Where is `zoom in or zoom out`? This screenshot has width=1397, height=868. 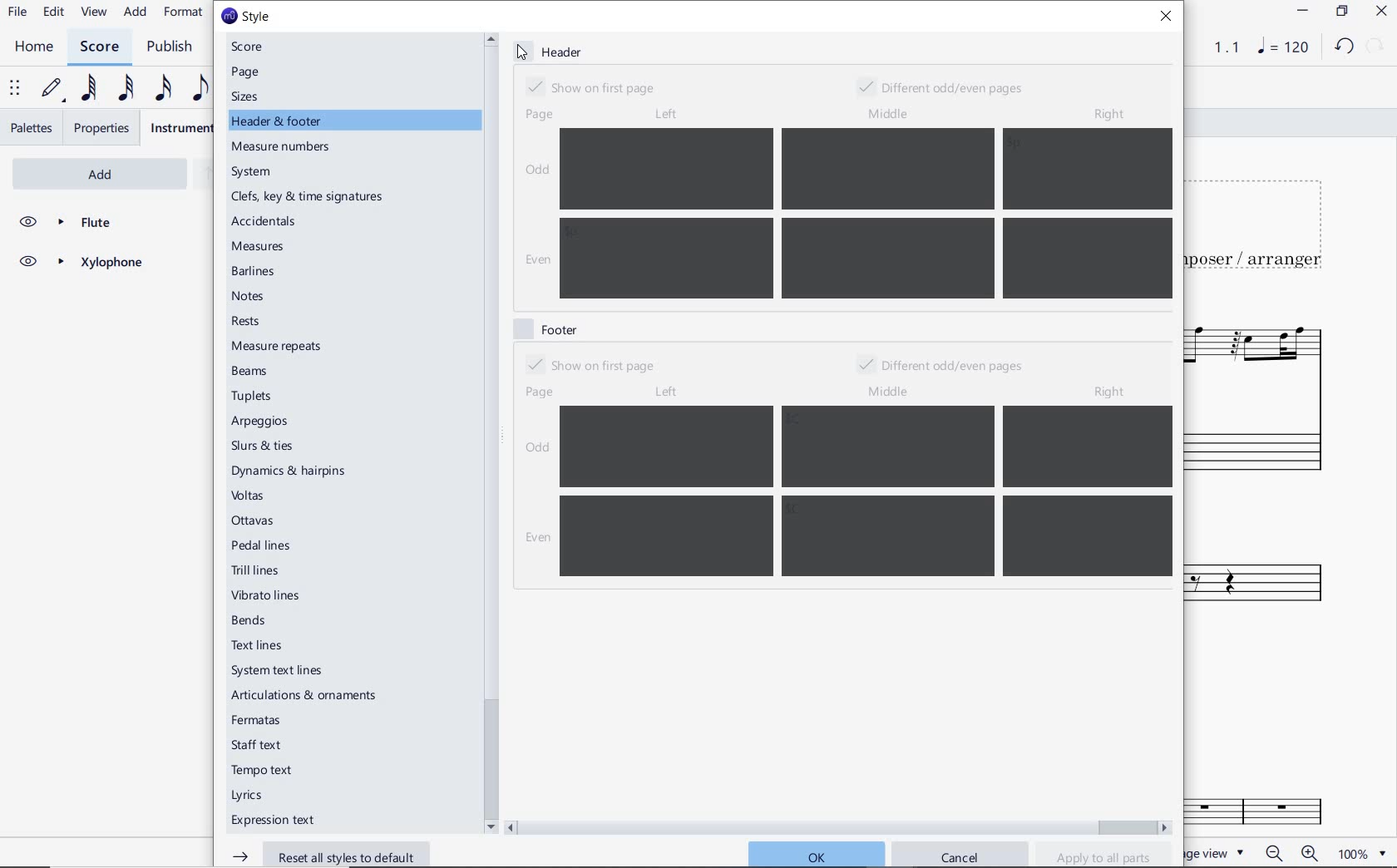 zoom in or zoom out is located at coordinates (1290, 852).